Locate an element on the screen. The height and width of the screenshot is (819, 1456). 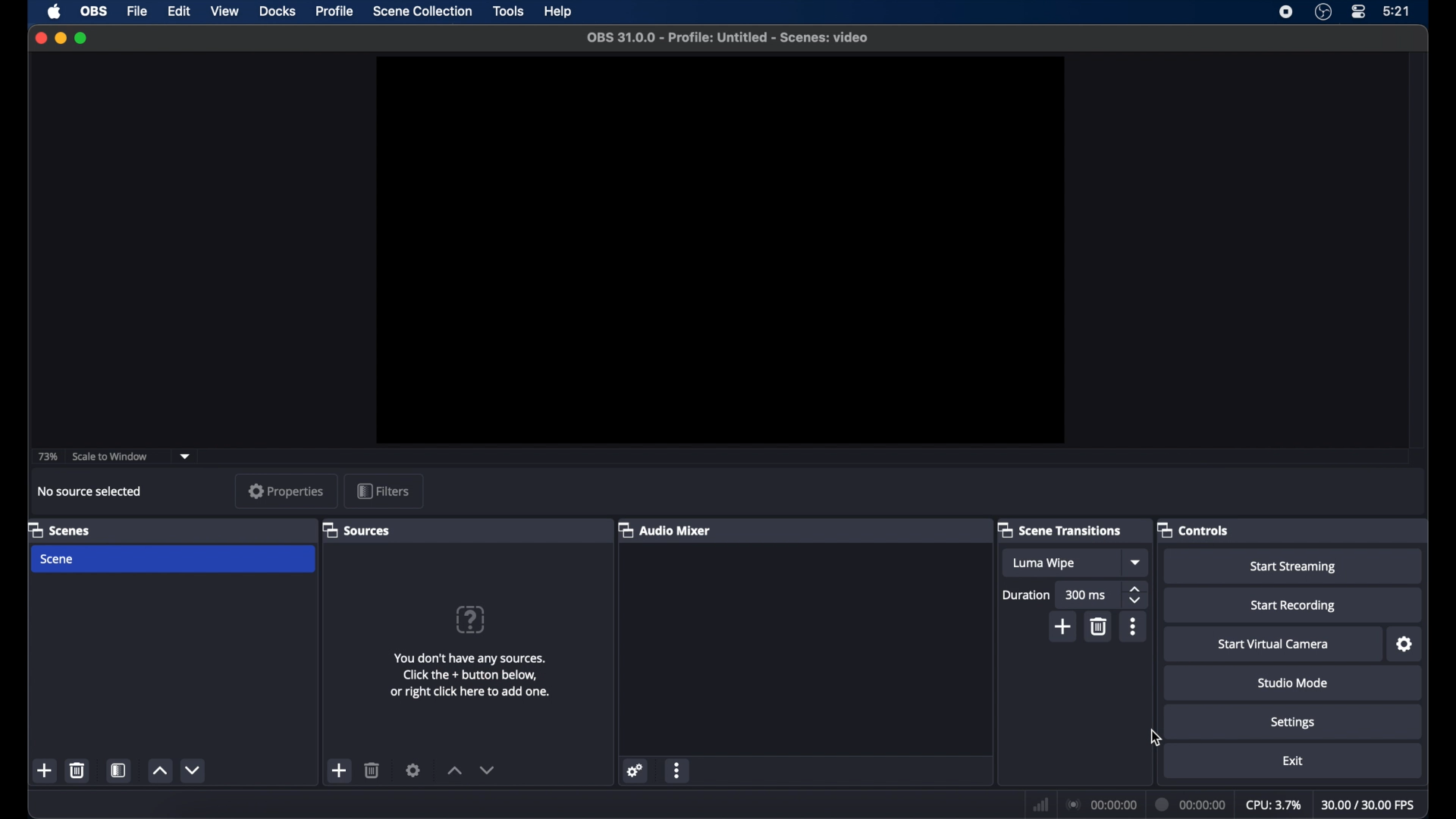
73% is located at coordinates (47, 457).